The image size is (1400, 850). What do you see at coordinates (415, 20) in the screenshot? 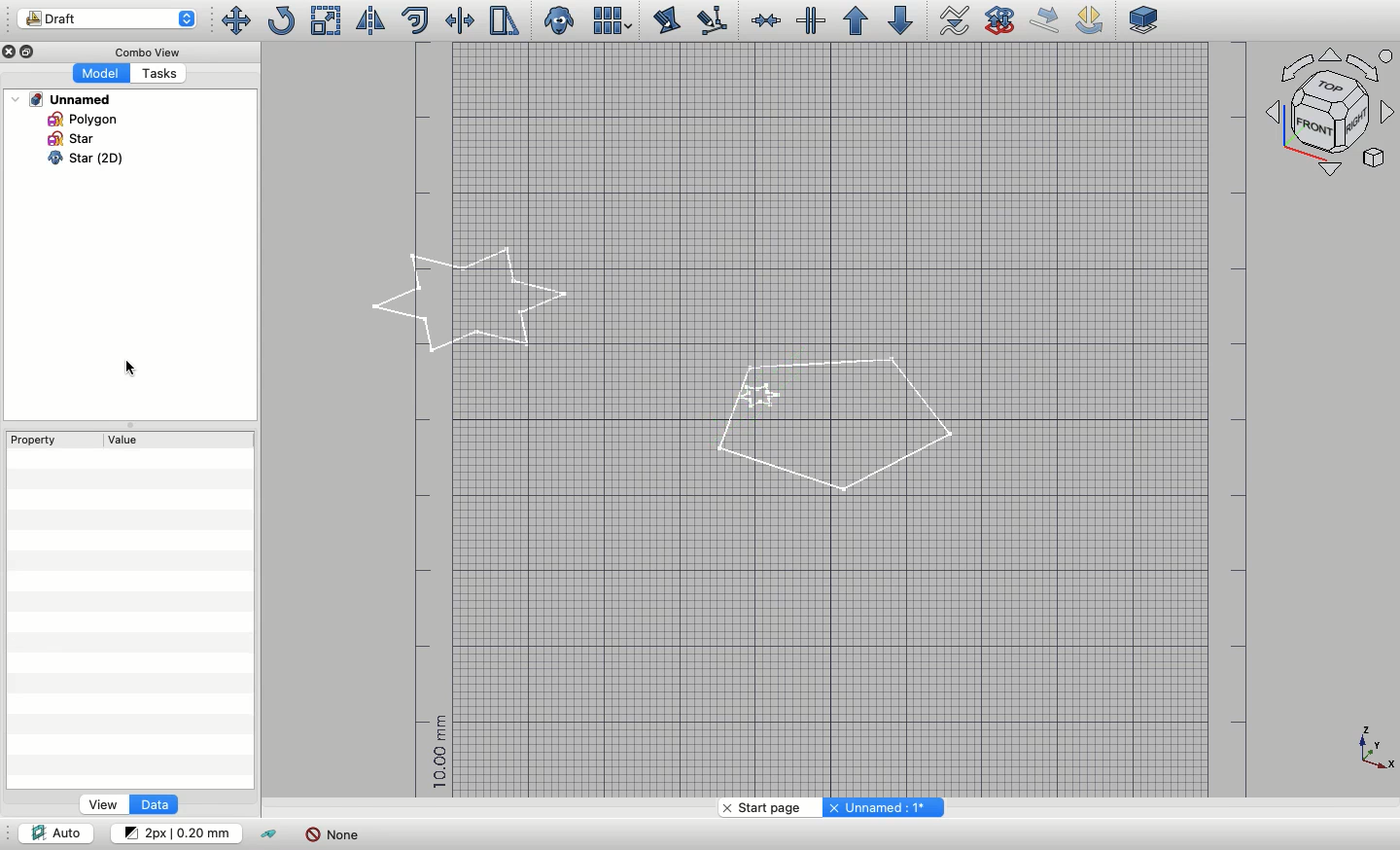
I see `Offset` at bounding box center [415, 20].